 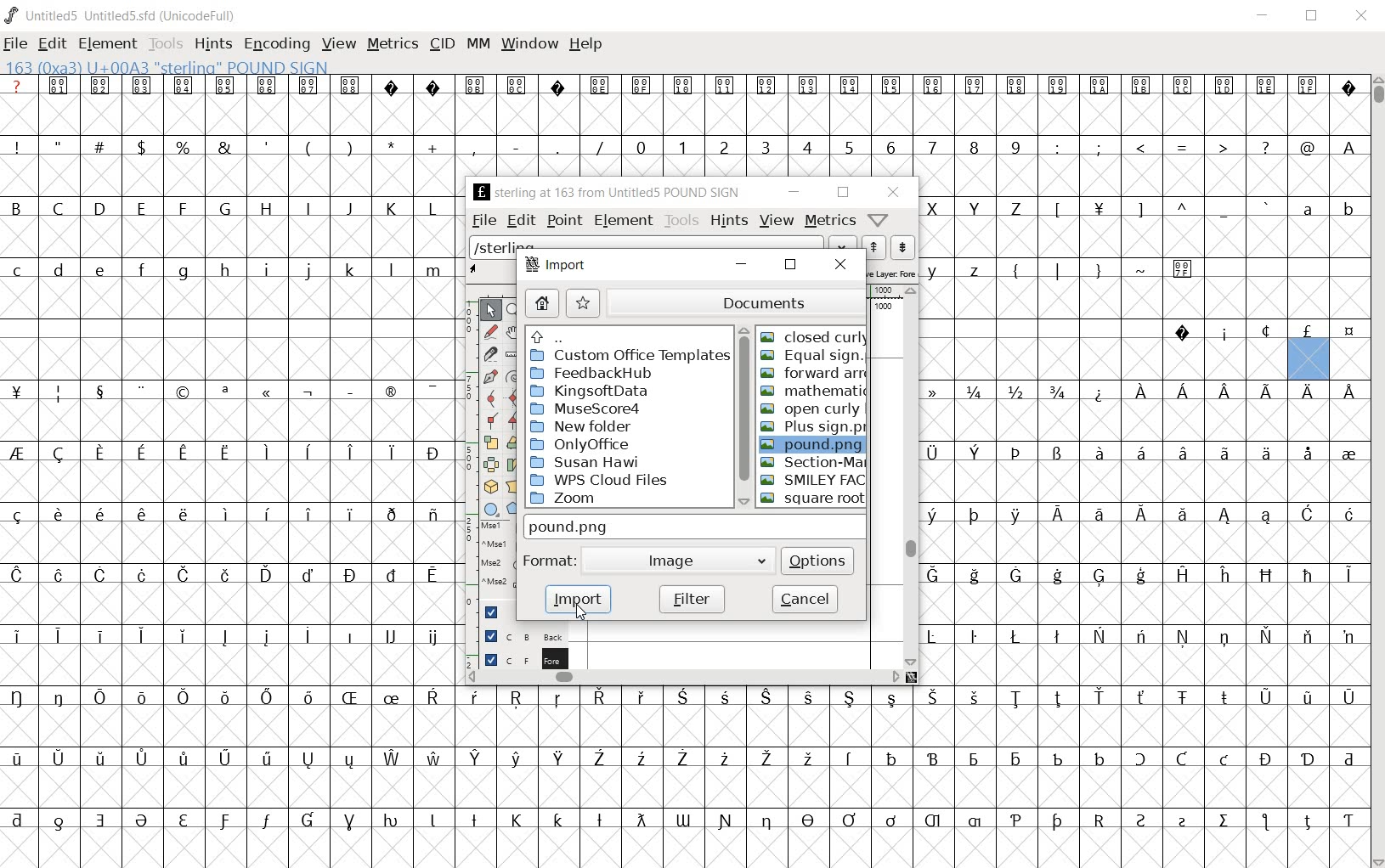 I want to click on MluseScore4, so click(x=587, y=409).